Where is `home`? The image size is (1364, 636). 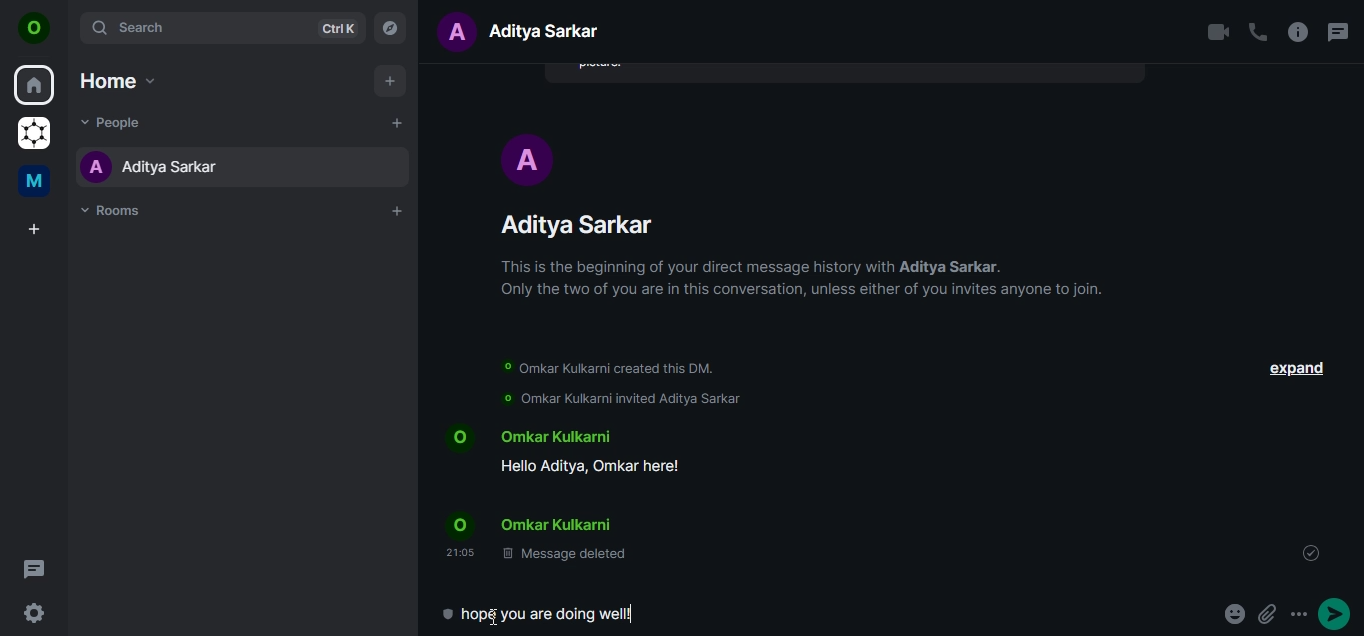 home is located at coordinates (120, 80).